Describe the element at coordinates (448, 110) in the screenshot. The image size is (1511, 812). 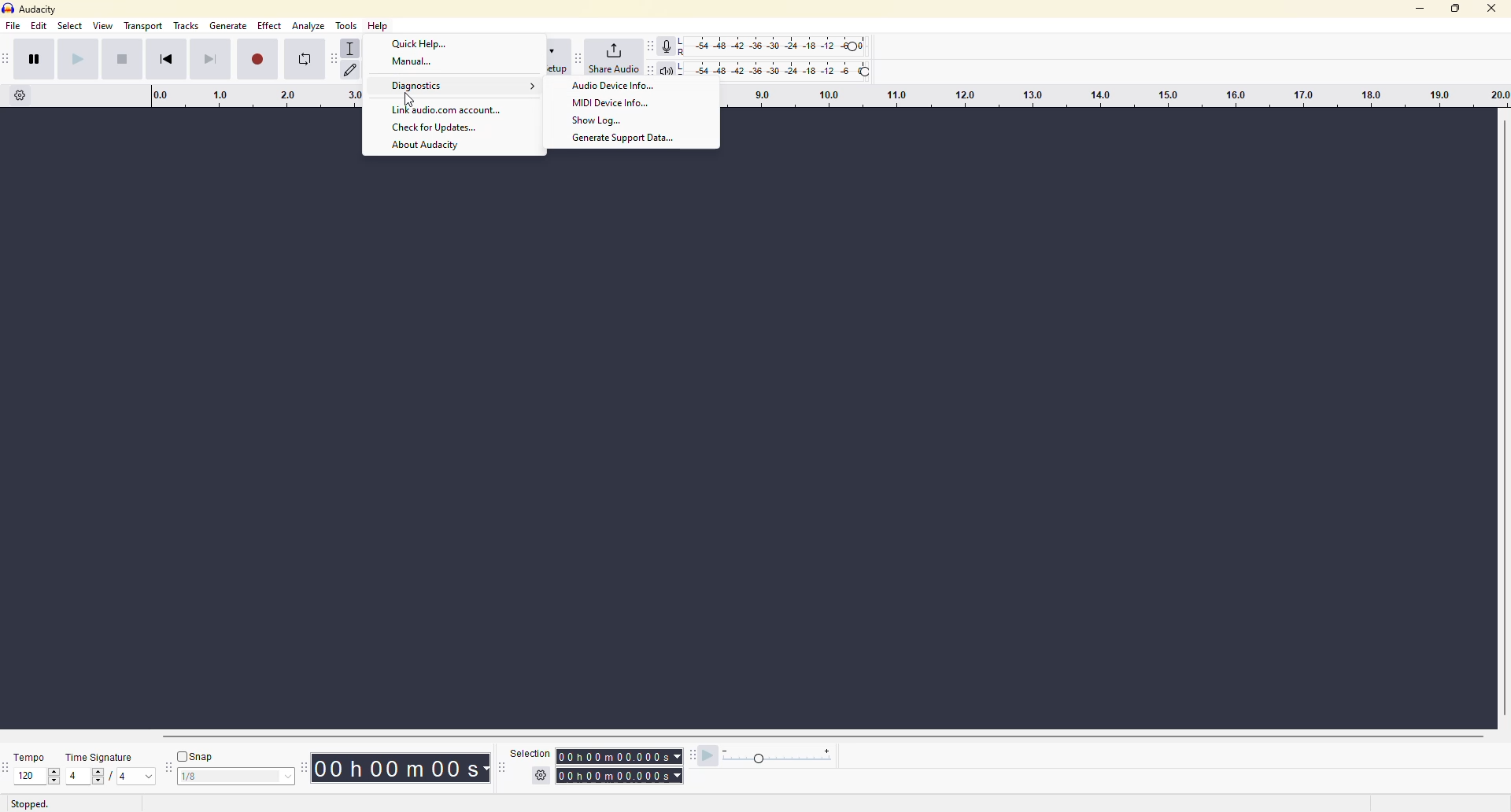
I see `Link audio.com account.` at that location.